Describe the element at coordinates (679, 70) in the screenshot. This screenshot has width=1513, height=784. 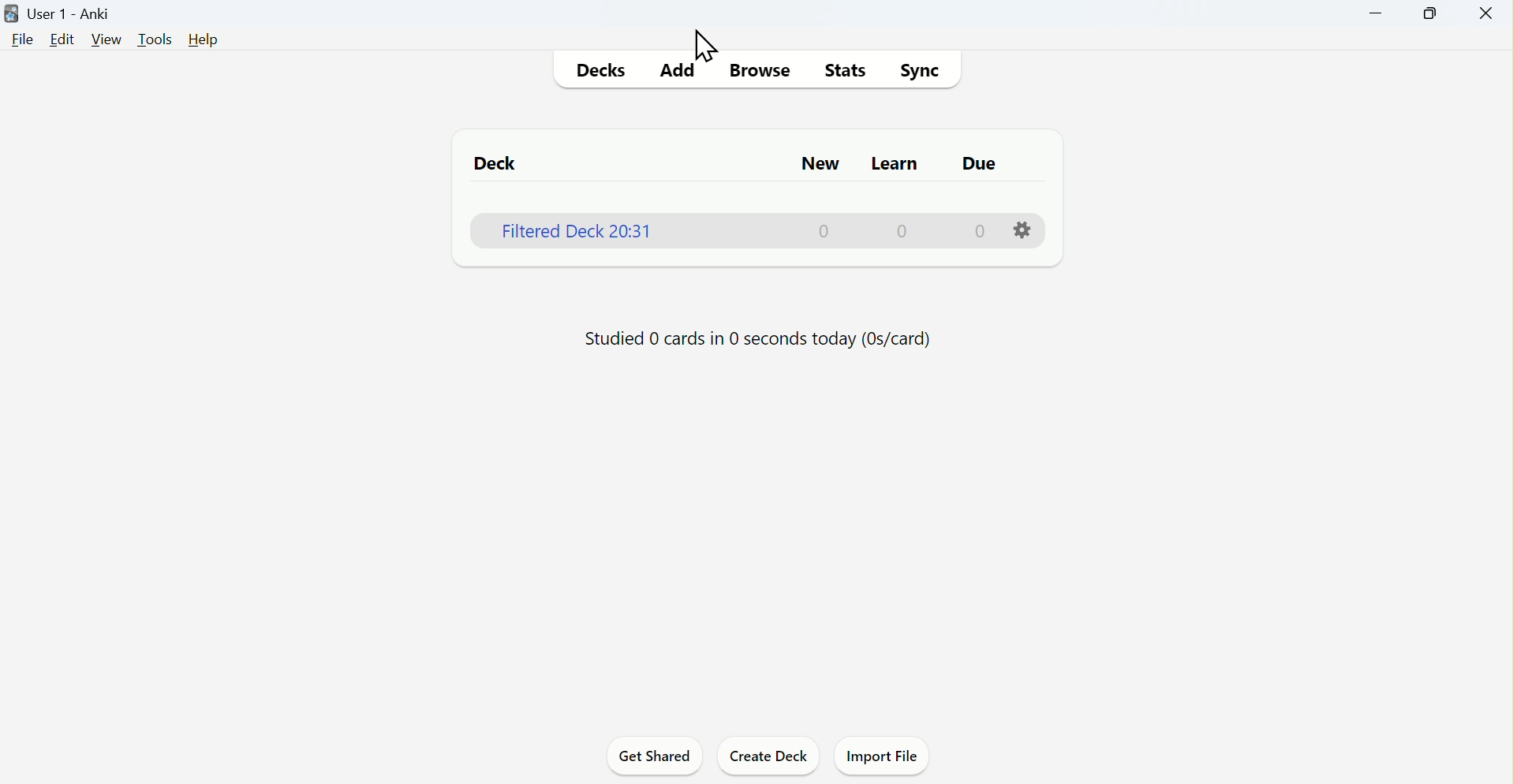
I see `Add` at that location.